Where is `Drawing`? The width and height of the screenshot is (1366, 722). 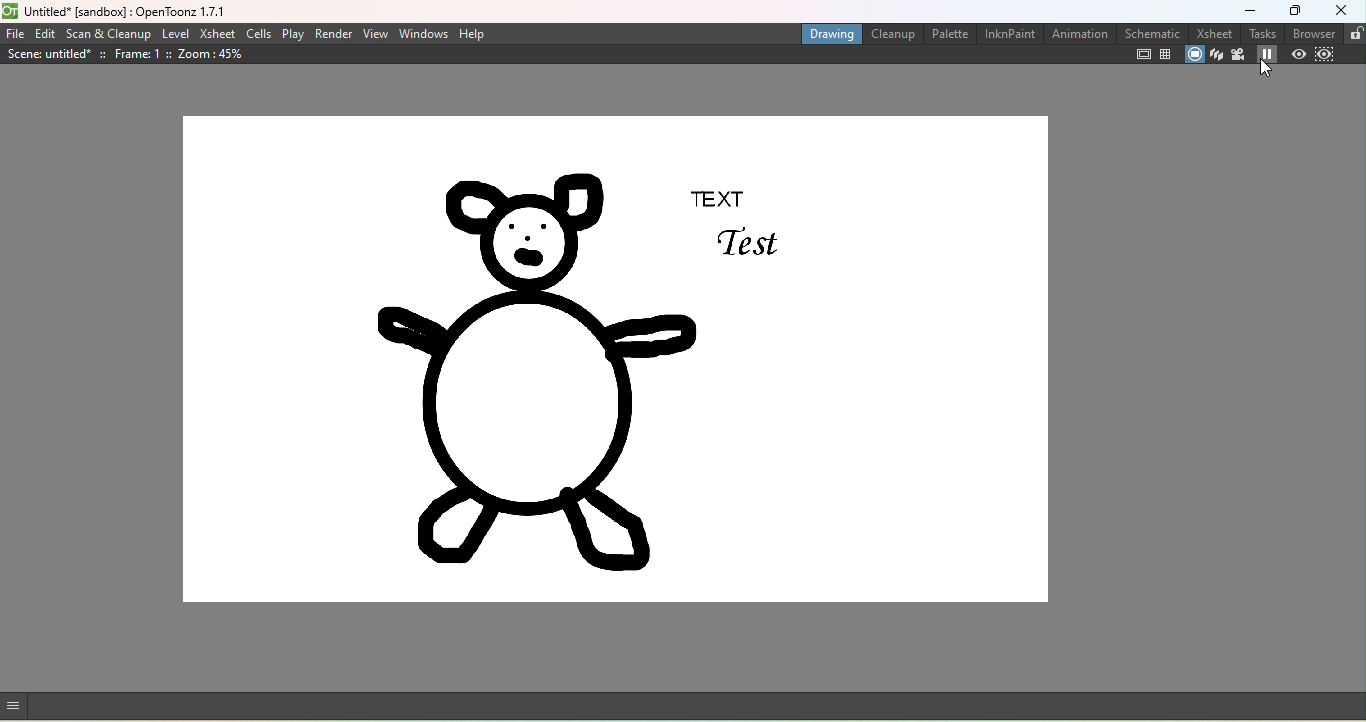
Drawing is located at coordinates (826, 34).